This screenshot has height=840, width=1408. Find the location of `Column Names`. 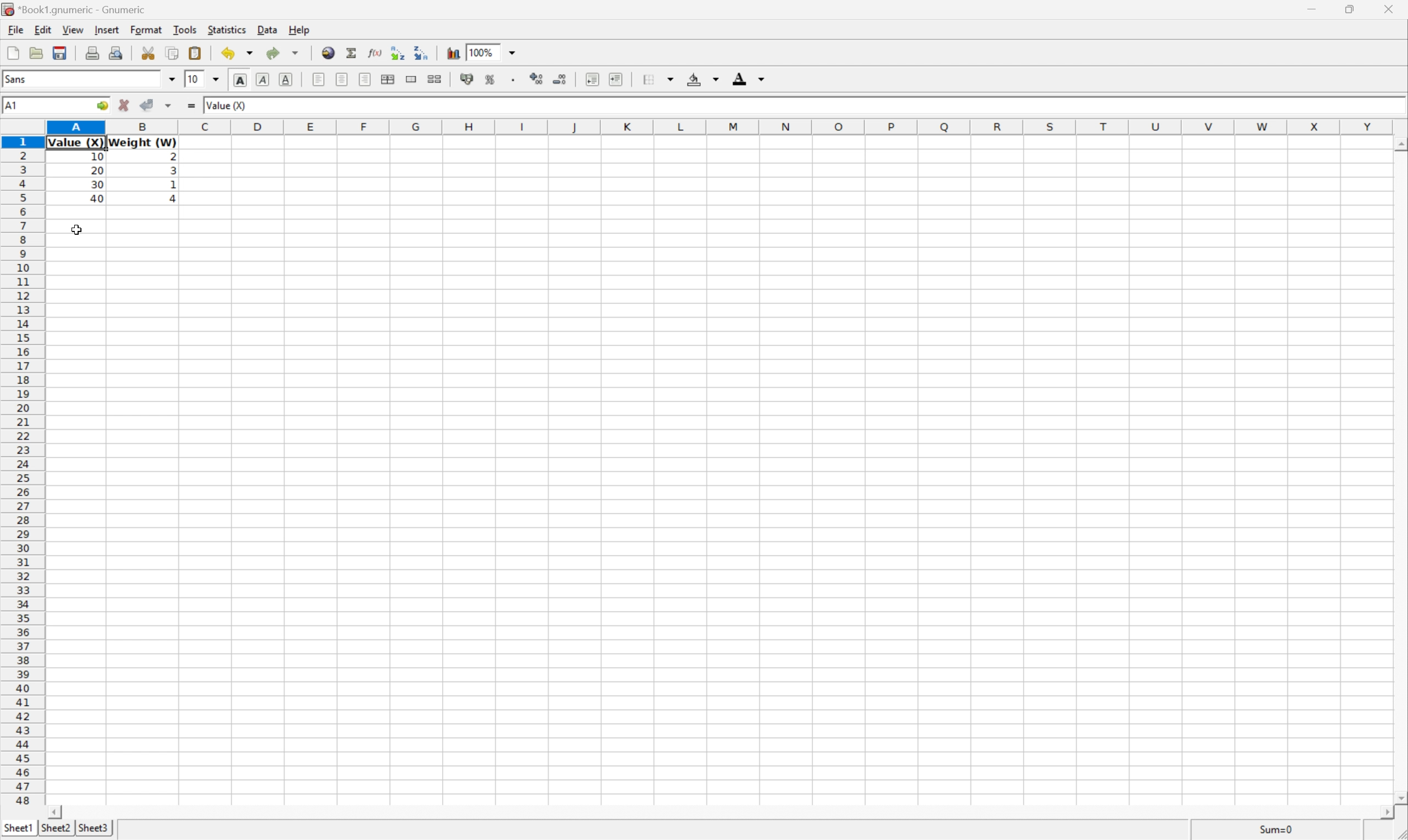

Column Names is located at coordinates (721, 126).